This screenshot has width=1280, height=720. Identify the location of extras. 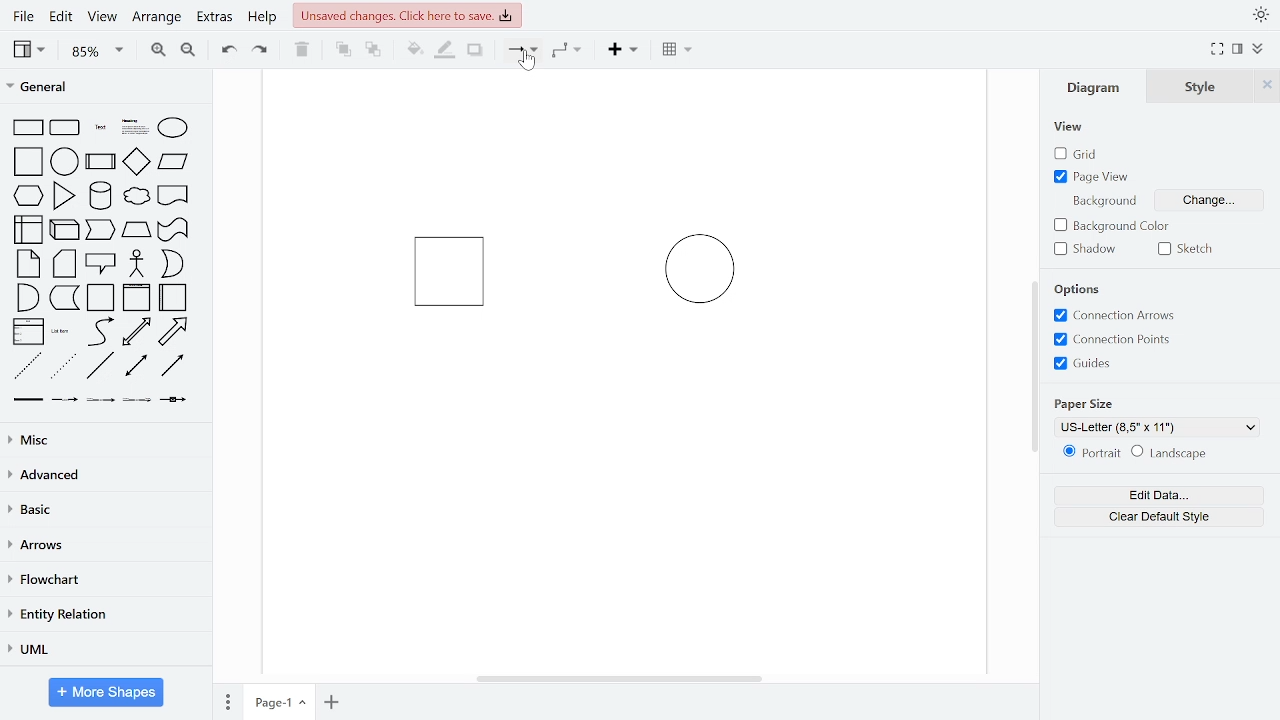
(214, 17).